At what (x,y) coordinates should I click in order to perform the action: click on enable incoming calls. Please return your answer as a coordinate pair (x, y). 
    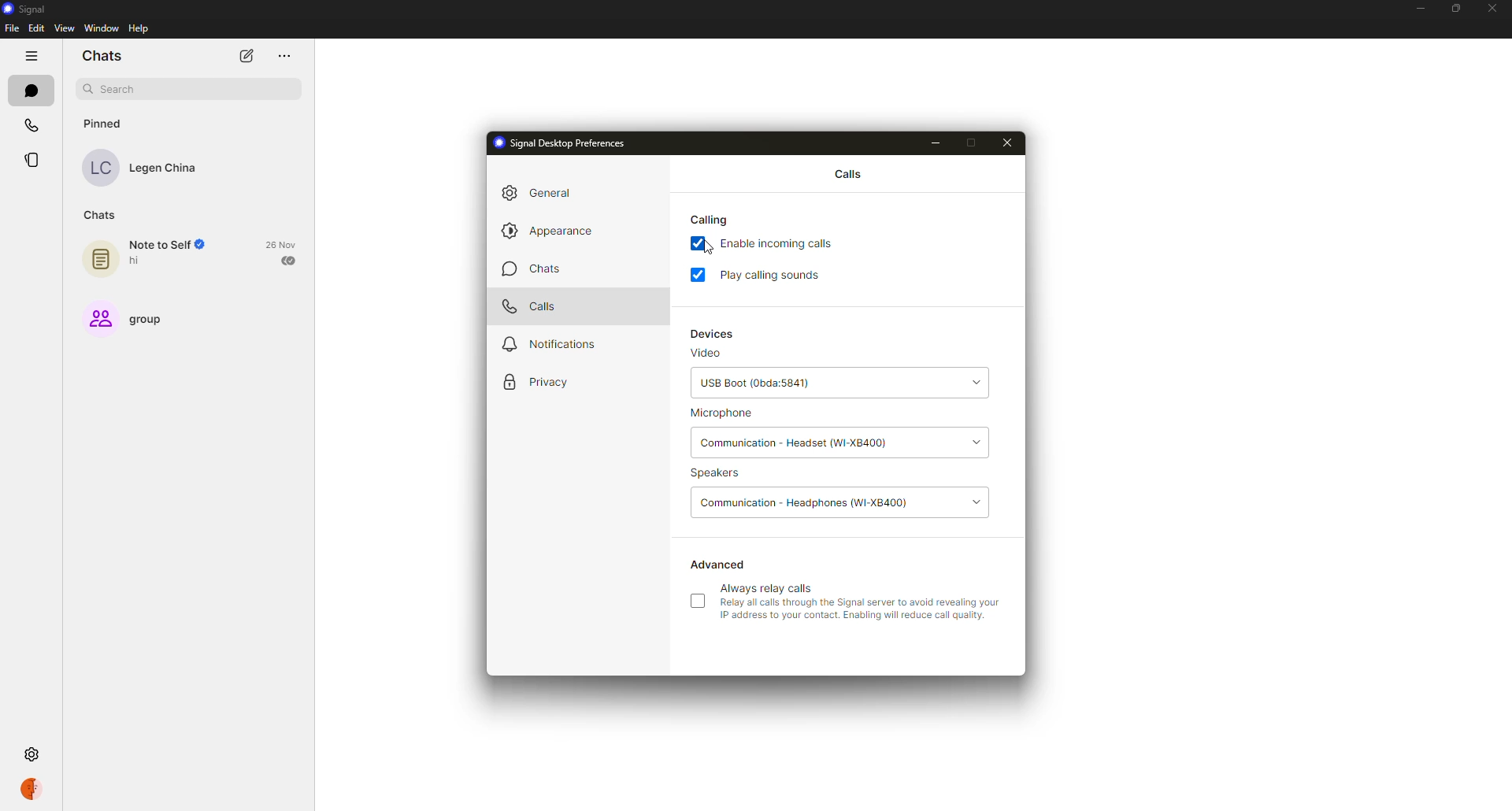
    Looking at the image, I should click on (785, 245).